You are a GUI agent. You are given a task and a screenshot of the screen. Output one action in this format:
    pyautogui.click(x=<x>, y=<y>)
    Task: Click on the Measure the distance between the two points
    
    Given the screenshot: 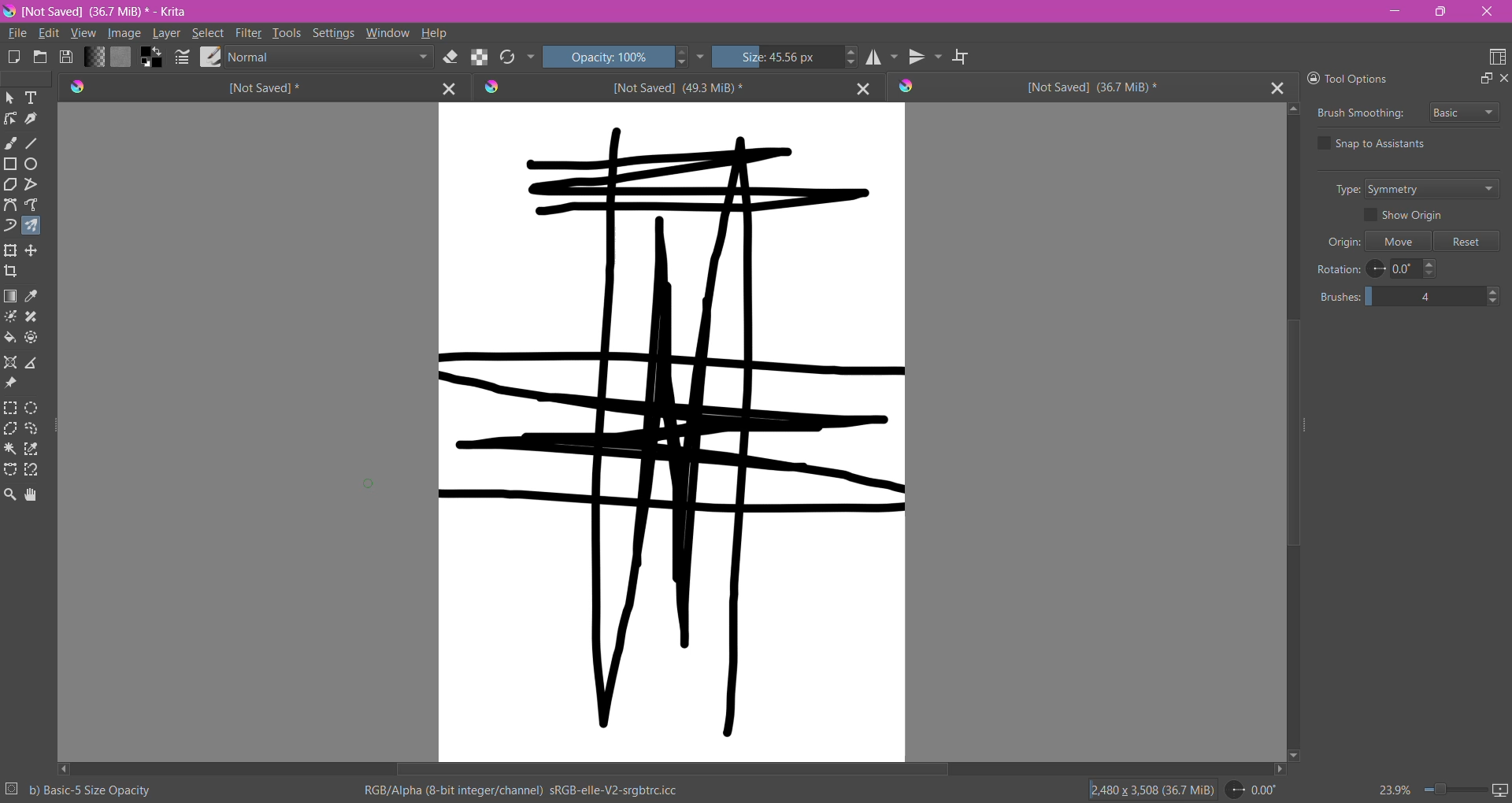 What is the action you would take?
    pyautogui.click(x=33, y=361)
    